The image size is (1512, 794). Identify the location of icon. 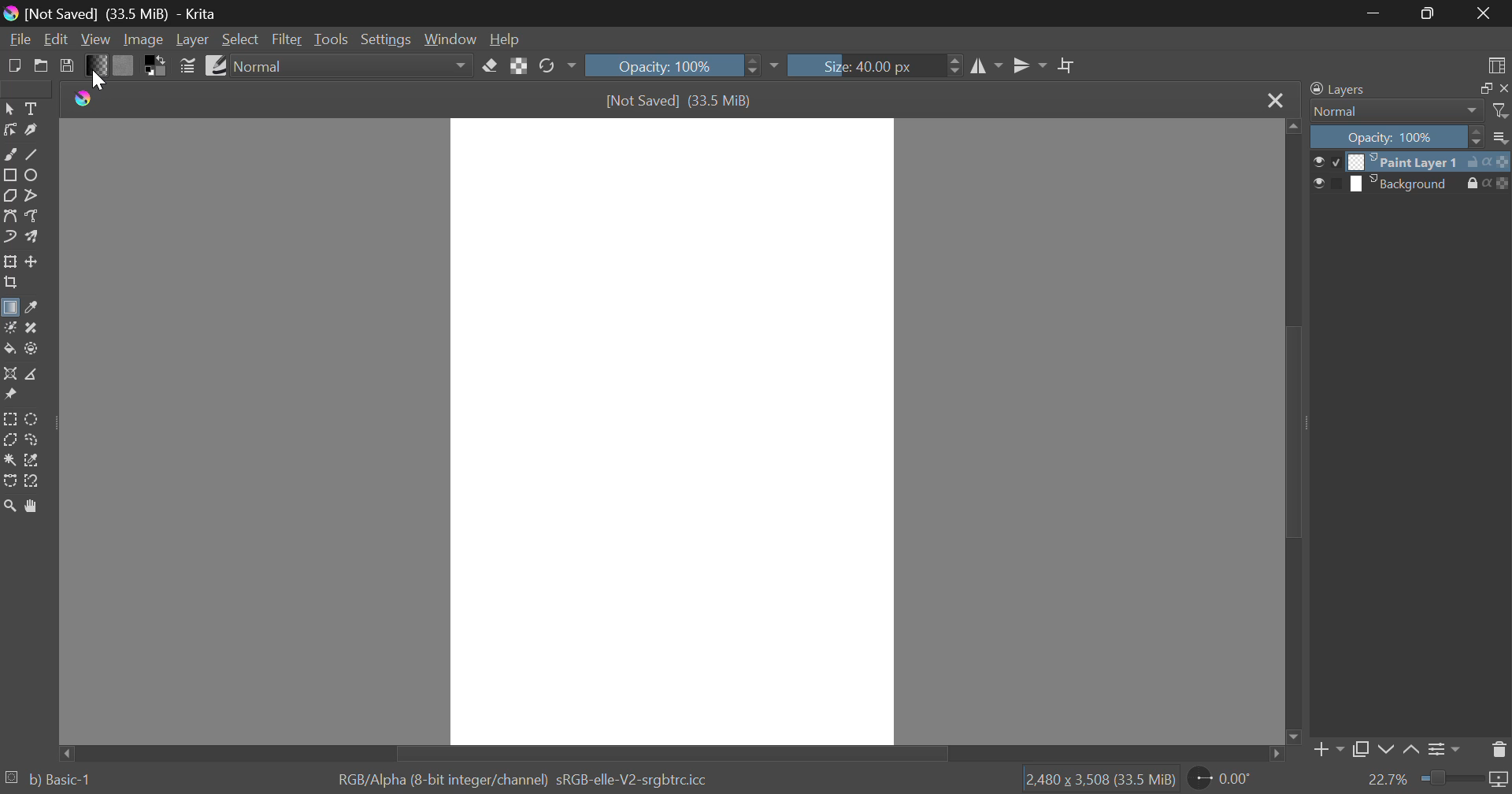
(1499, 161).